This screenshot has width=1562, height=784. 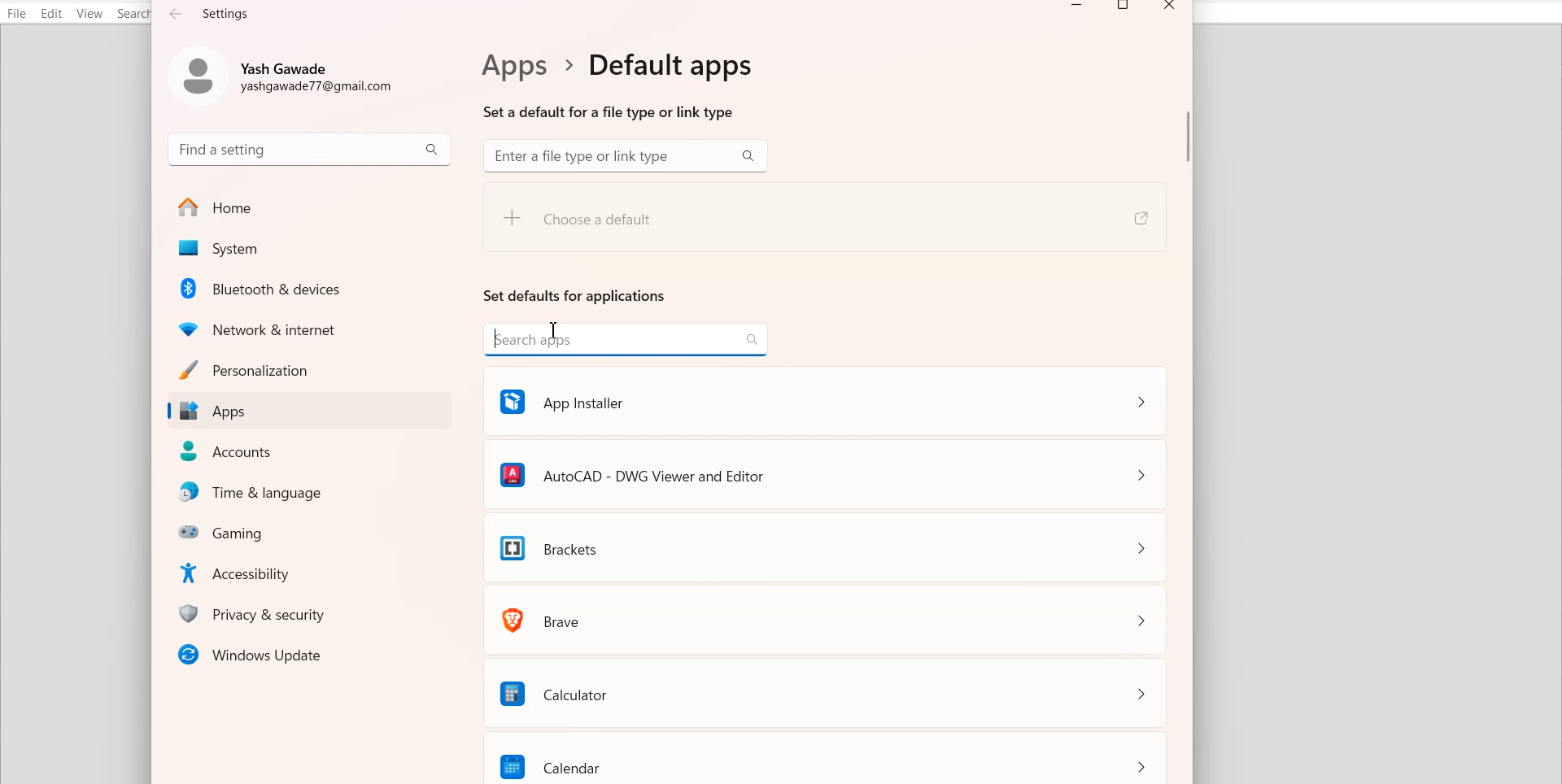 What do you see at coordinates (311, 451) in the screenshot?
I see `Accounts` at bounding box center [311, 451].